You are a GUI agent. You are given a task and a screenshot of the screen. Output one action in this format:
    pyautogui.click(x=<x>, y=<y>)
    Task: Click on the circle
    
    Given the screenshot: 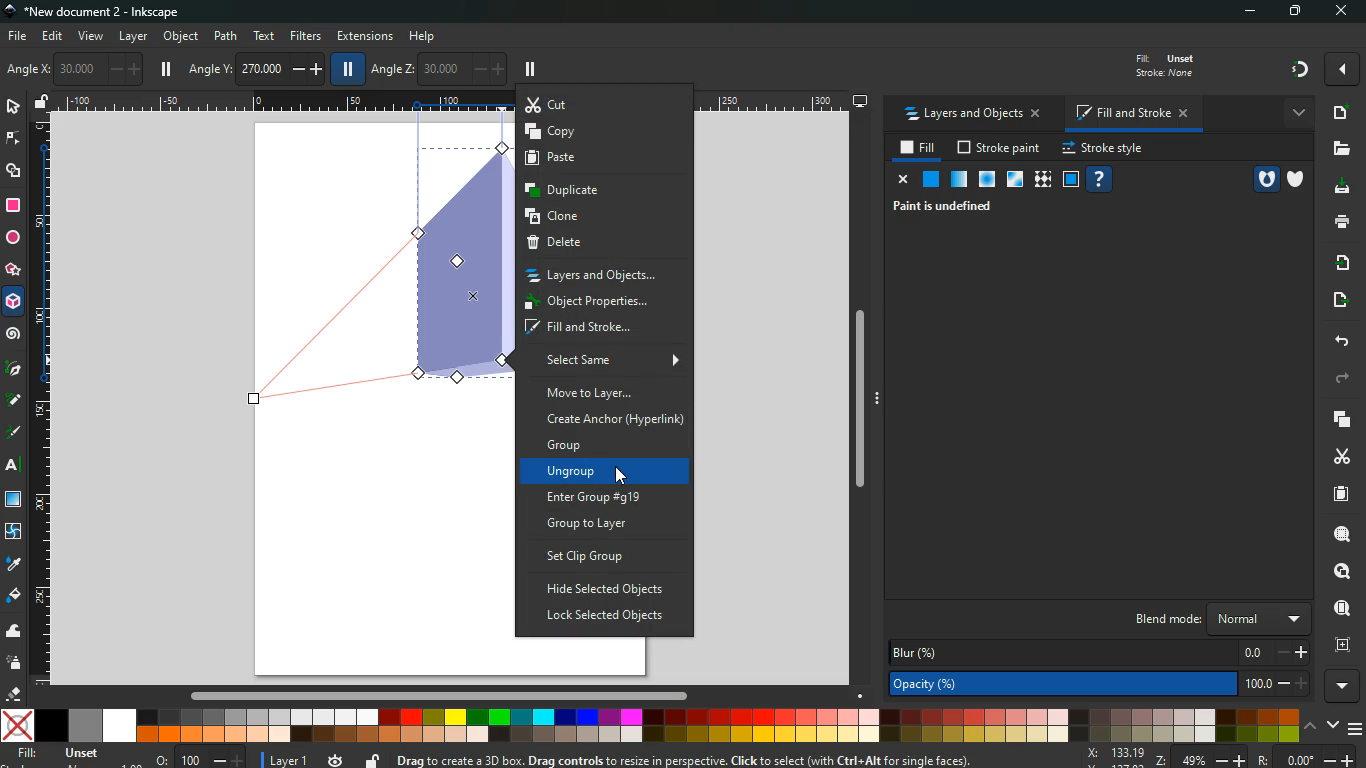 What is the action you would take?
    pyautogui.click(x=13, y=240)
    